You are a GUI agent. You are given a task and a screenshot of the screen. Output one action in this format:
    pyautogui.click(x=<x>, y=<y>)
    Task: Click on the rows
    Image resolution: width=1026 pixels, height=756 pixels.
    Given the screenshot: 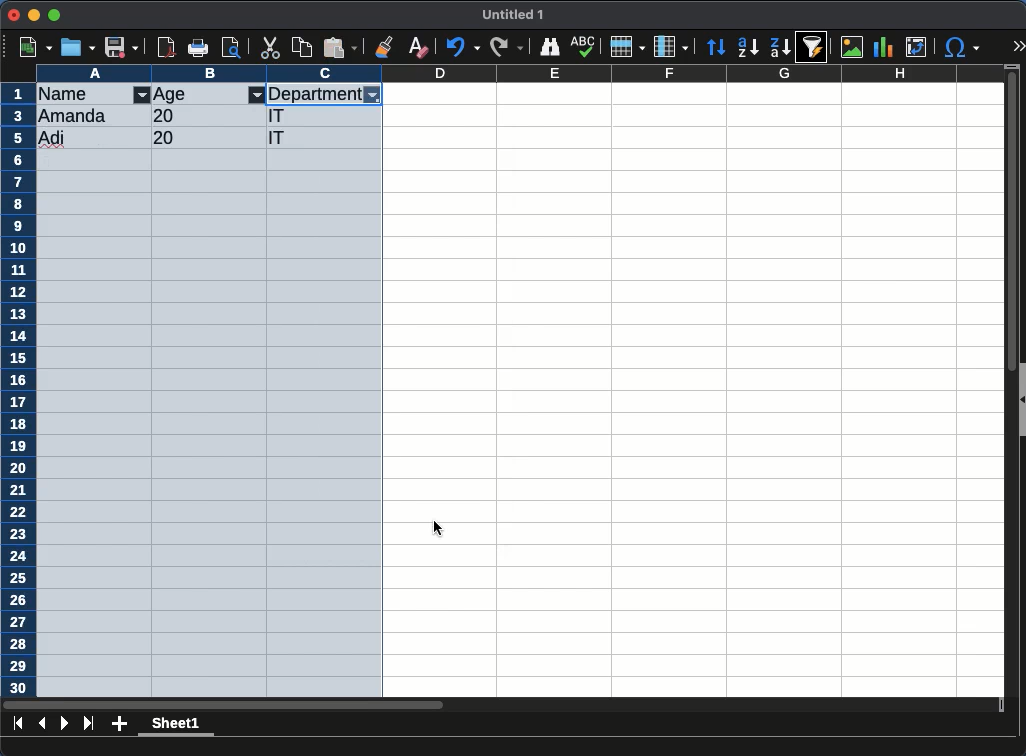 What is the action you would take?
    pyautogui.click(x=626, y=47)
    